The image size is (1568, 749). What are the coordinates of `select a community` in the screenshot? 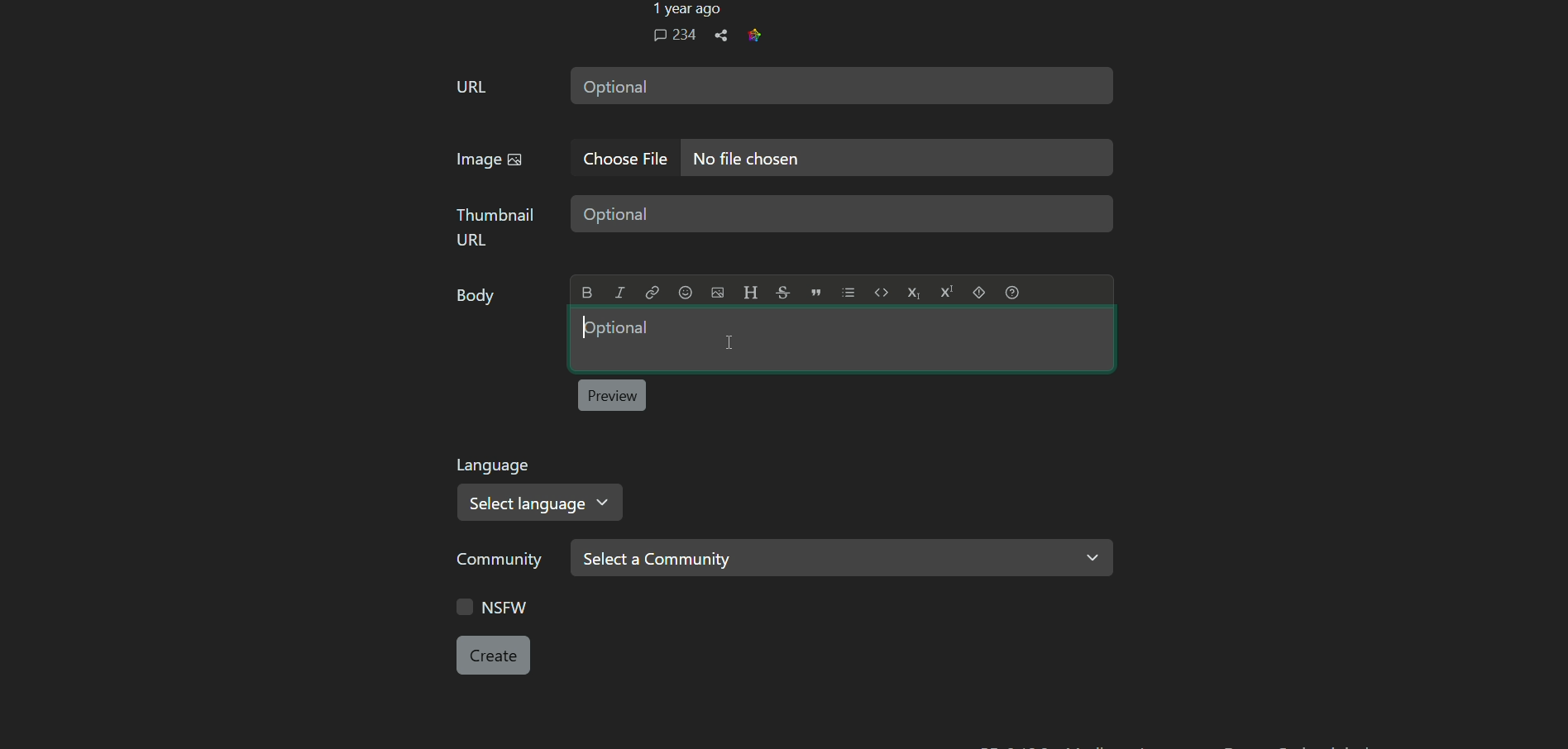 It's located at (841, 557).